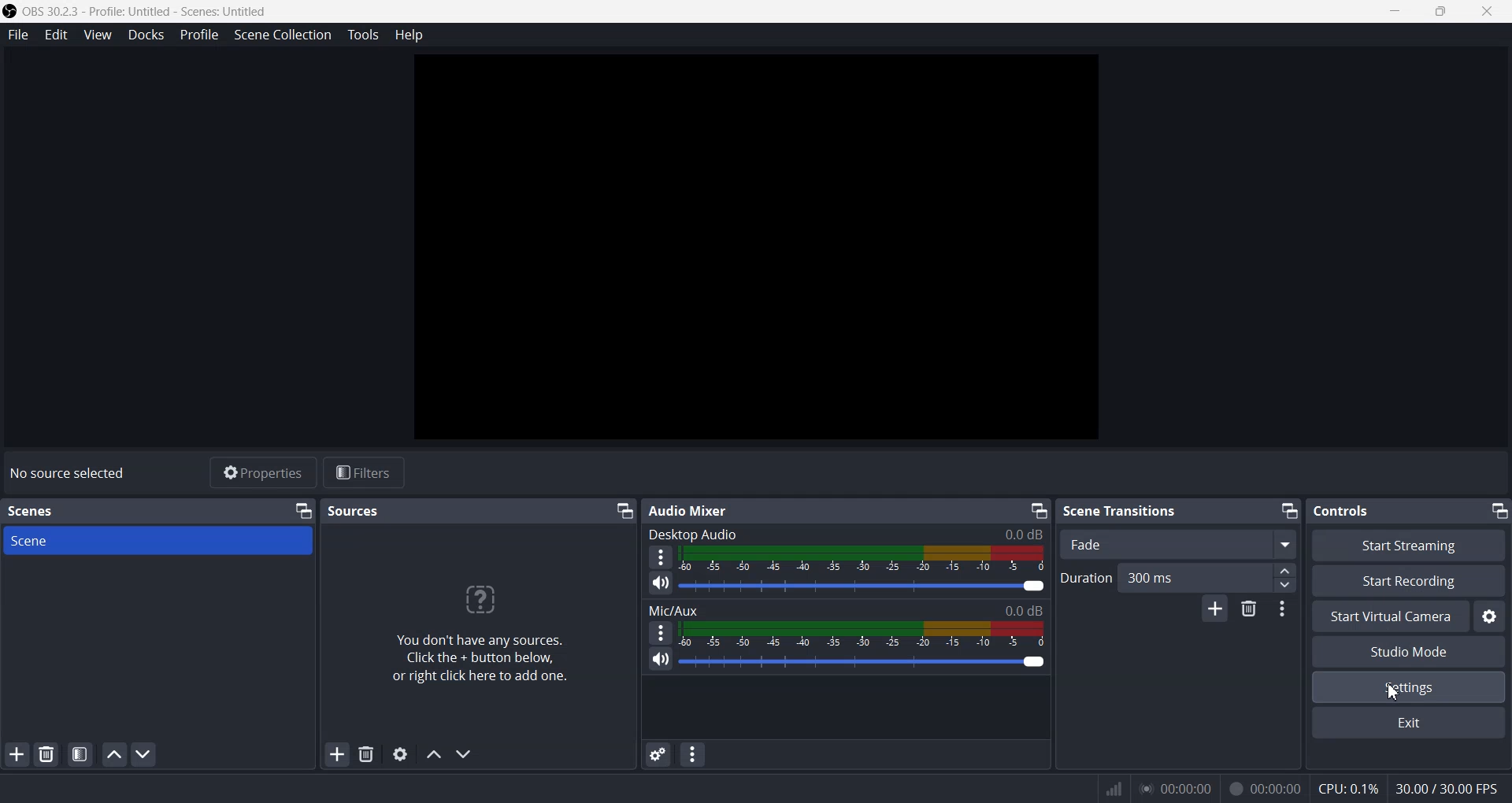 This screenshot has height=803, width=1512. Describe the element at coordinates (354, 510) in the screenshot. I see `Sources` at that location.